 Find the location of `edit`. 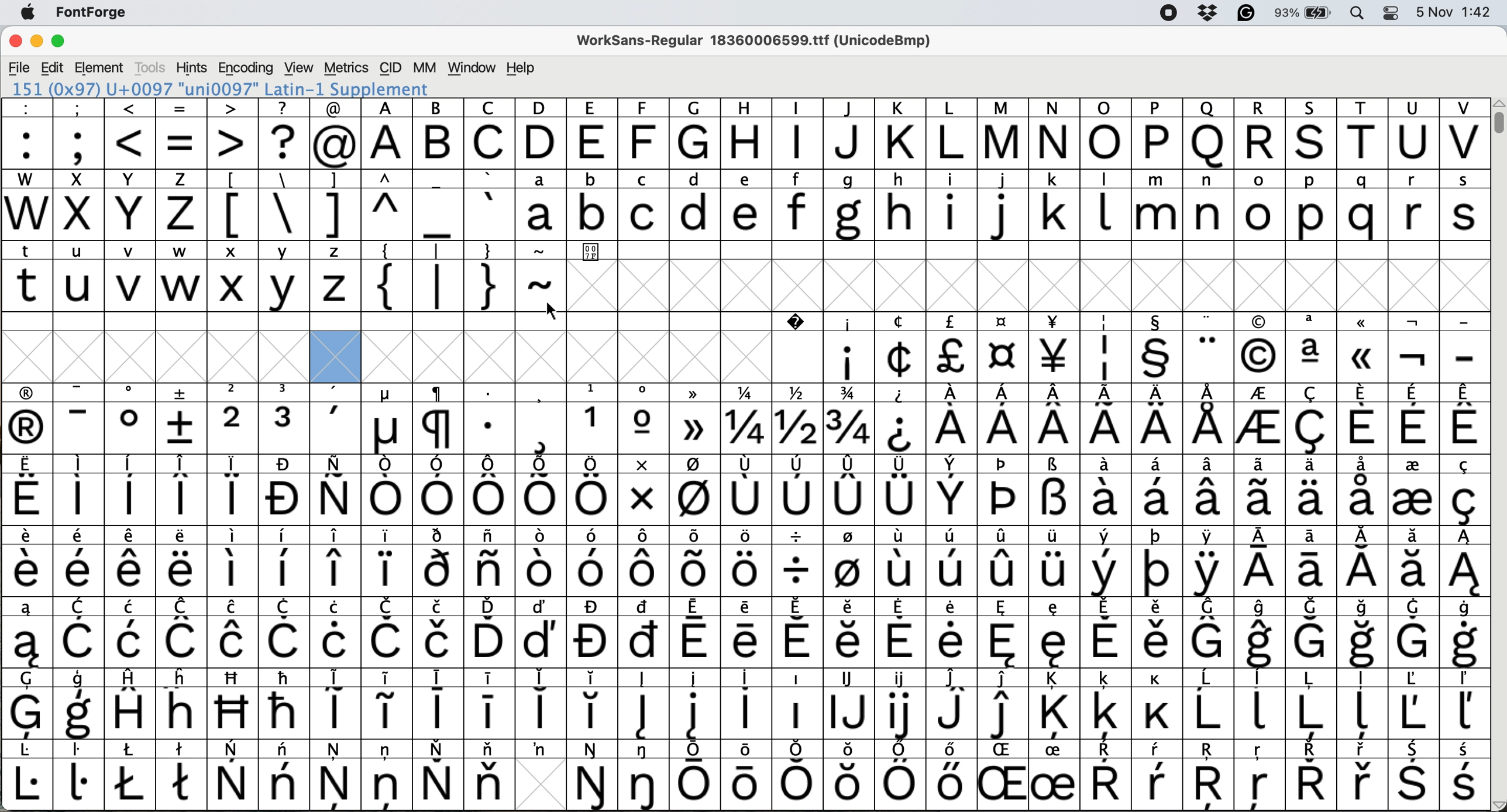

edit is located at coordinates (54, 68).